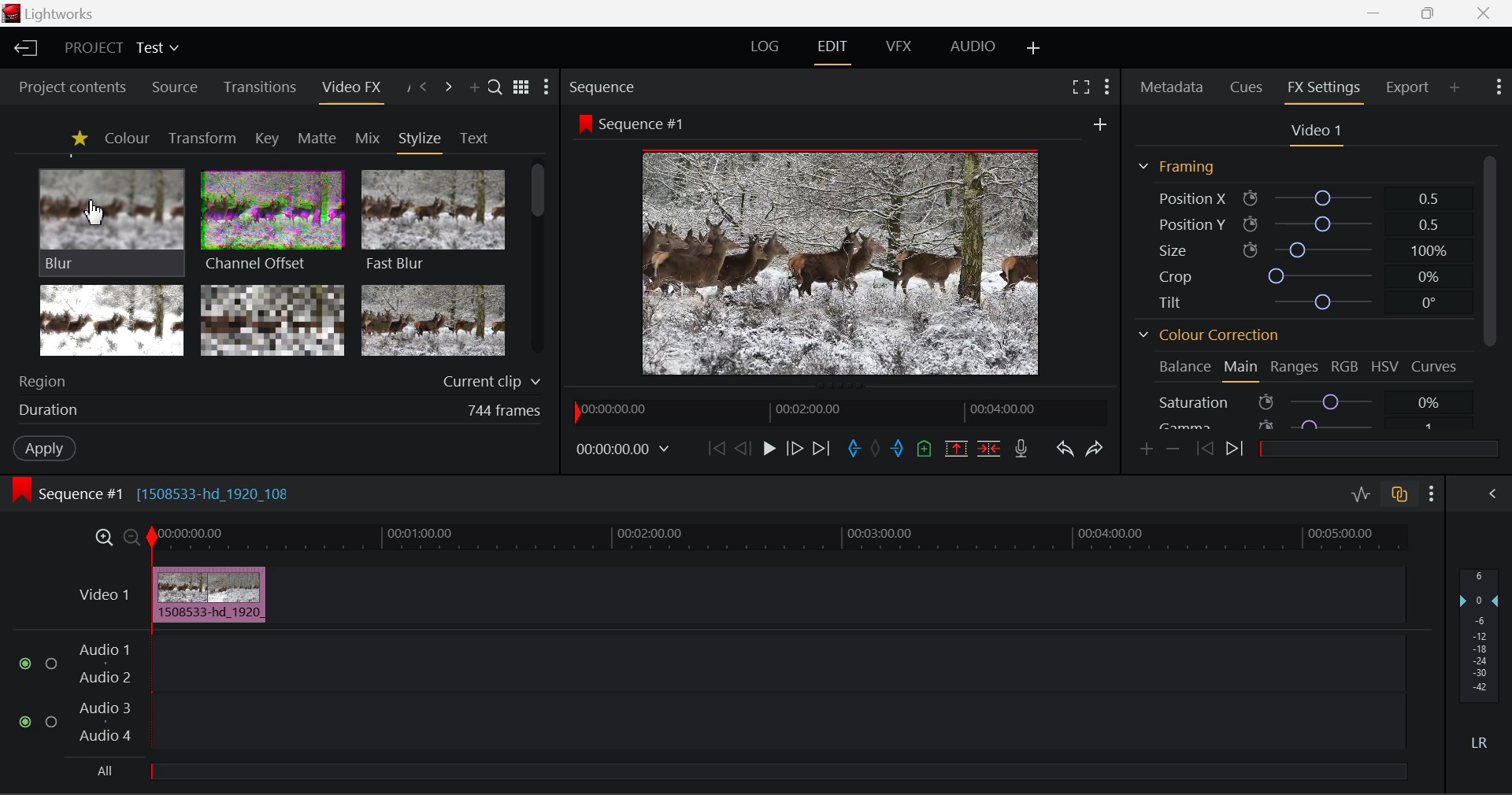 Image resolution: width=1512 pixels, height=795 pixels. What do you see at coordinates (1299, 248) in the screenshot?
I see `Size` at bounding box center [1299, 248].